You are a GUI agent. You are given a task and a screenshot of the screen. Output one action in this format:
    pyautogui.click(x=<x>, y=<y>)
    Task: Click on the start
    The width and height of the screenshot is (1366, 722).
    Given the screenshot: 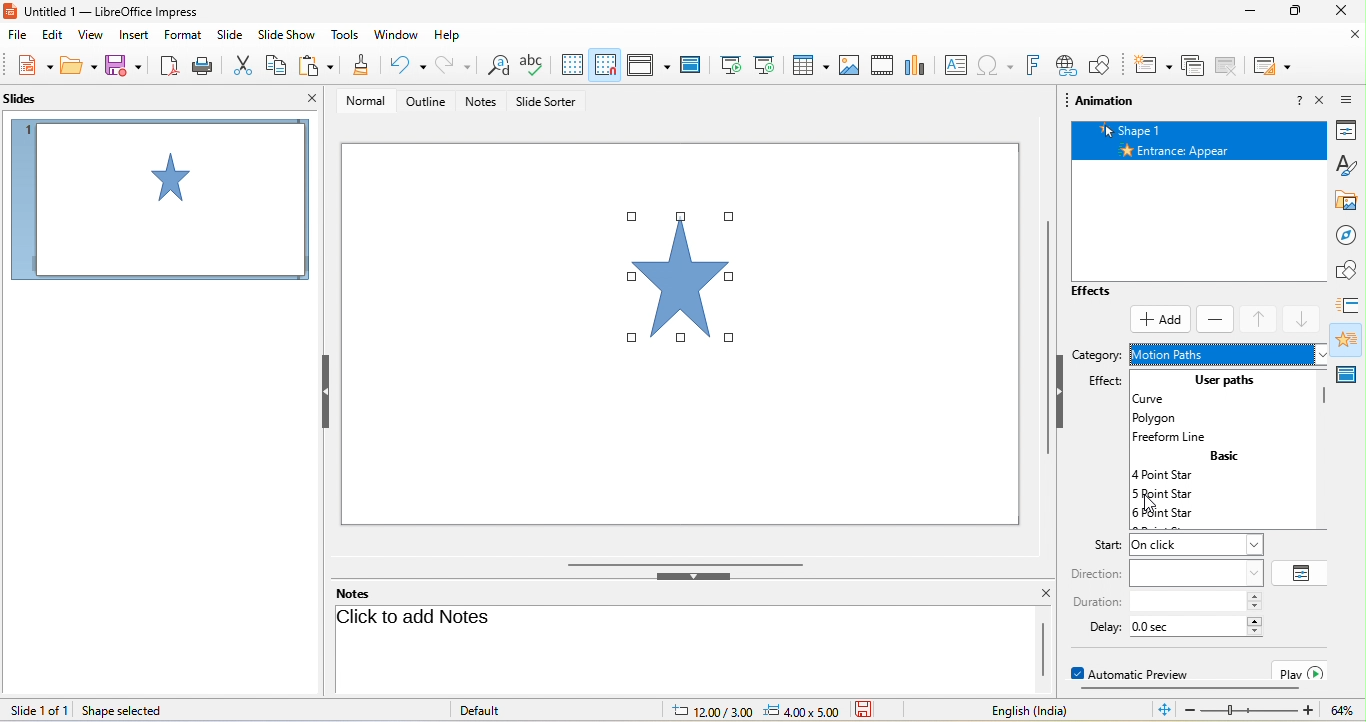 What is the action you would take?
    pyautogui.click(x=1098, y=546)
    